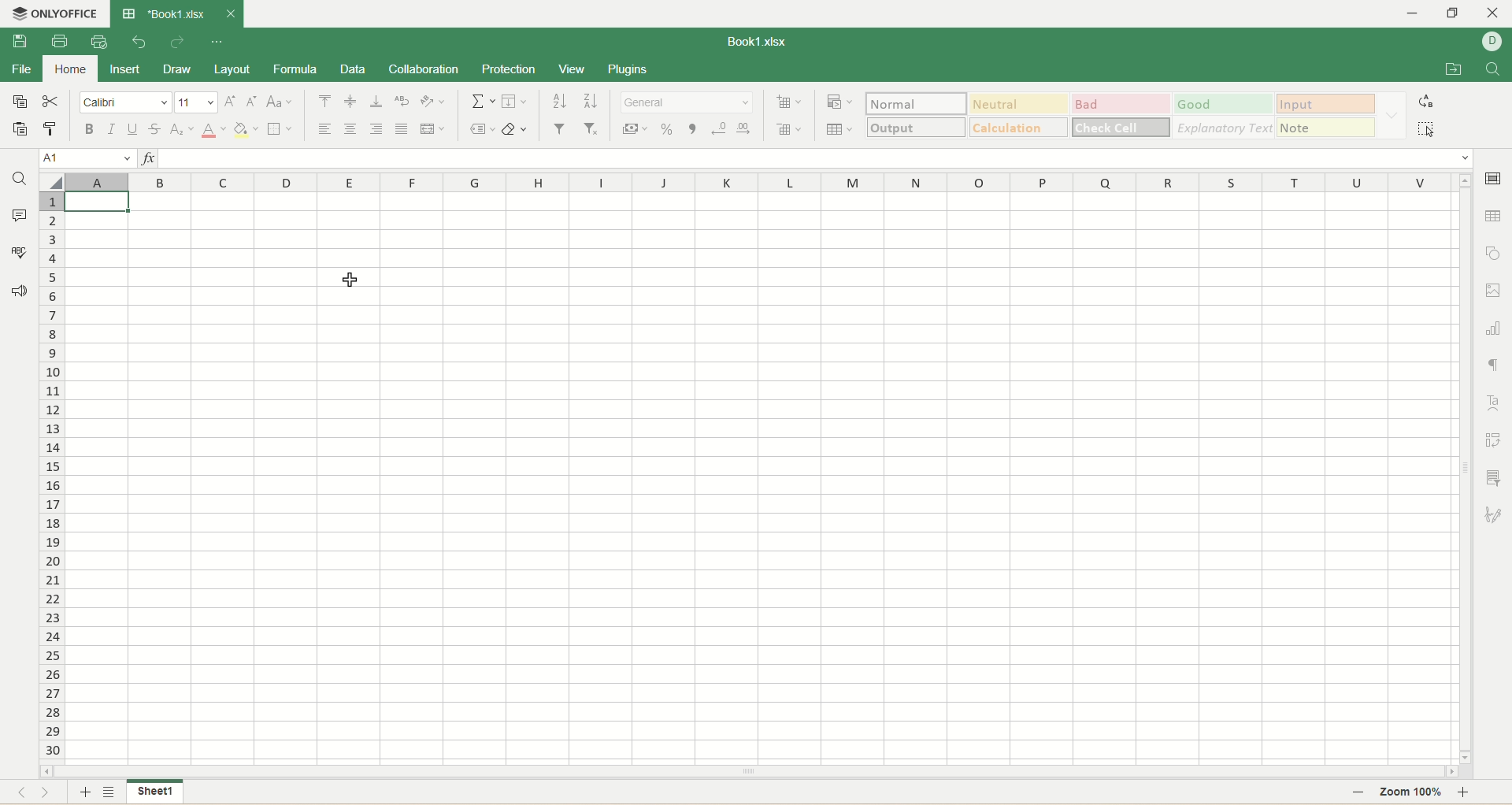  Describe the element at coordinates (142, 43) in the screenshot. I see `undo` at that location.